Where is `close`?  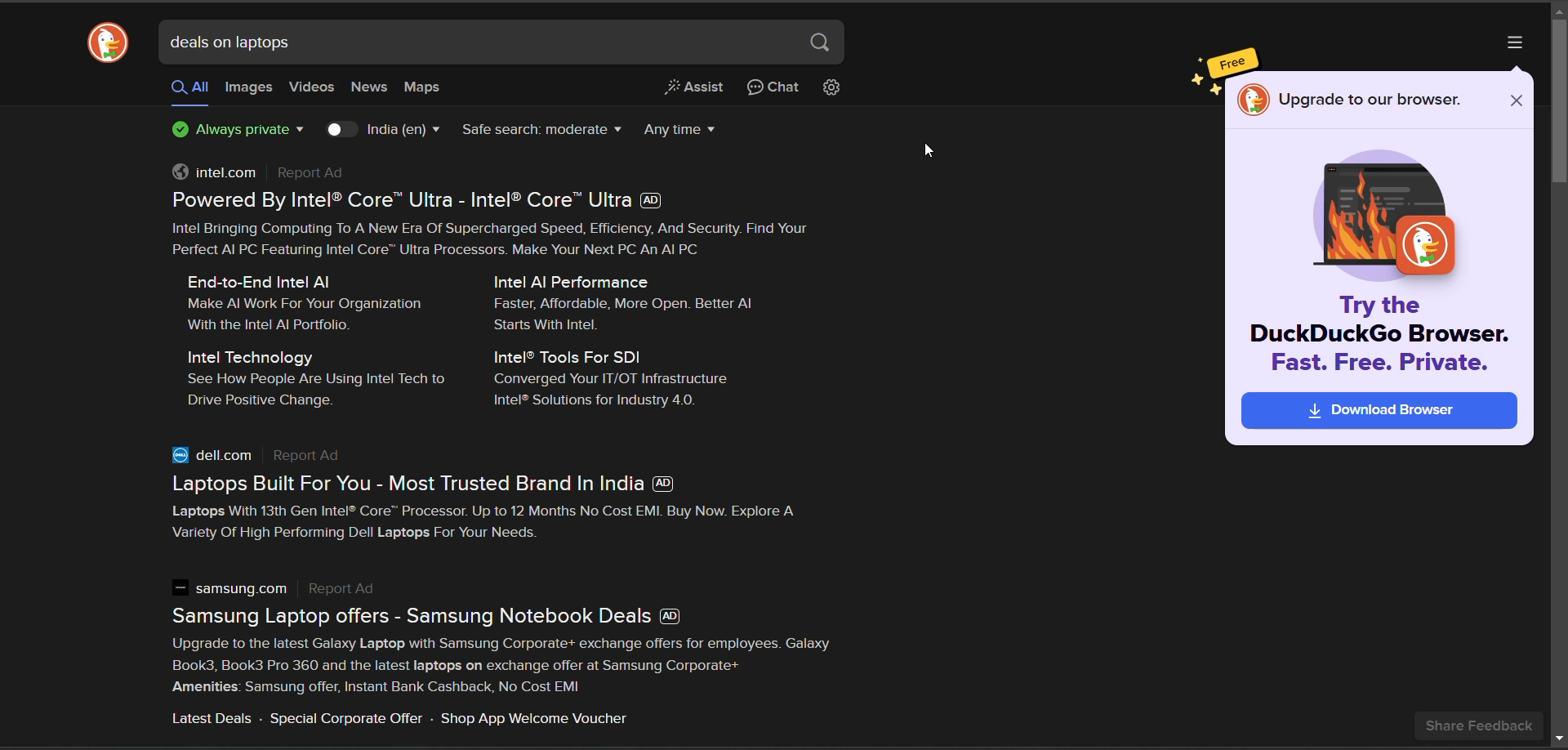
close is located at coordinates (1517, 98).